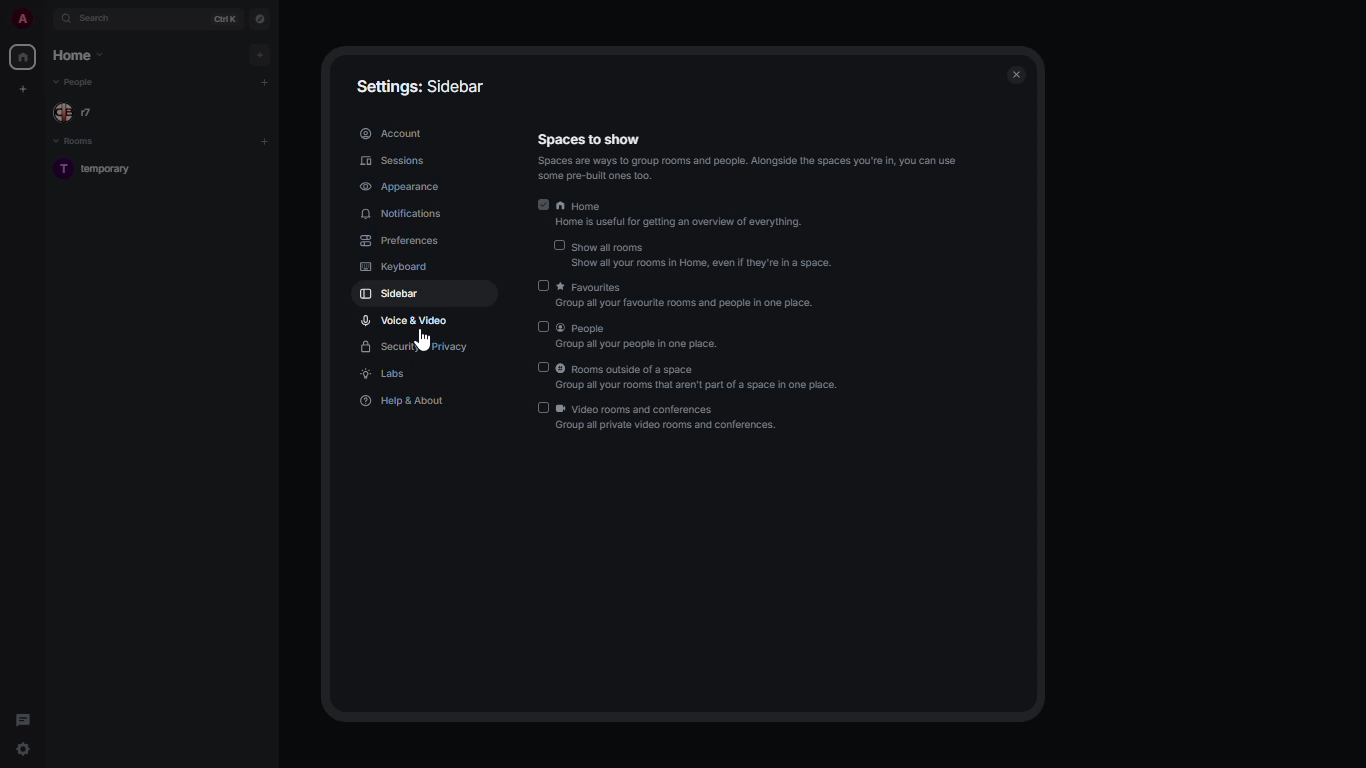  I want to click on sidebar, so click(396, 293).